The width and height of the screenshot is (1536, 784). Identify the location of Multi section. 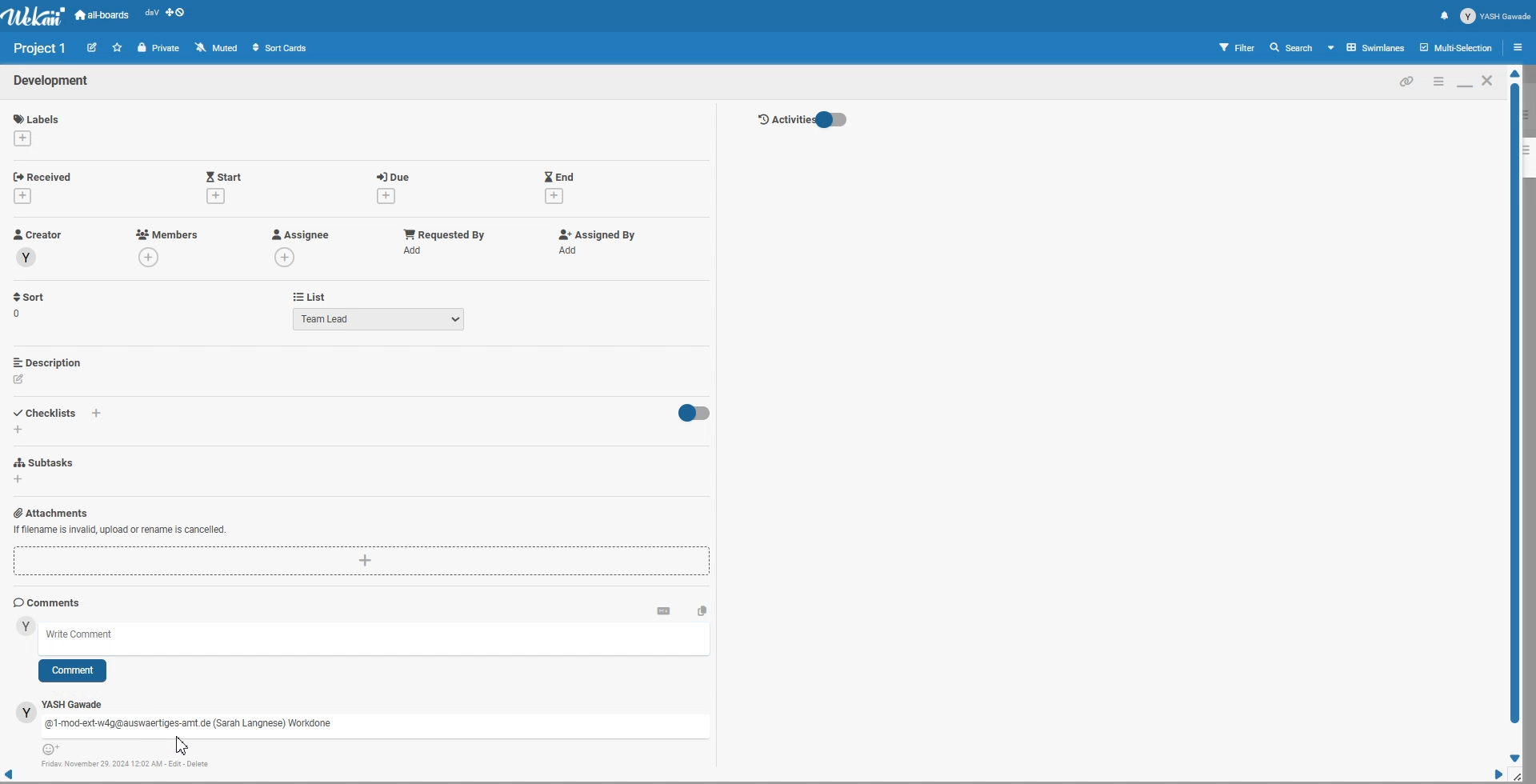
(1458, 47).